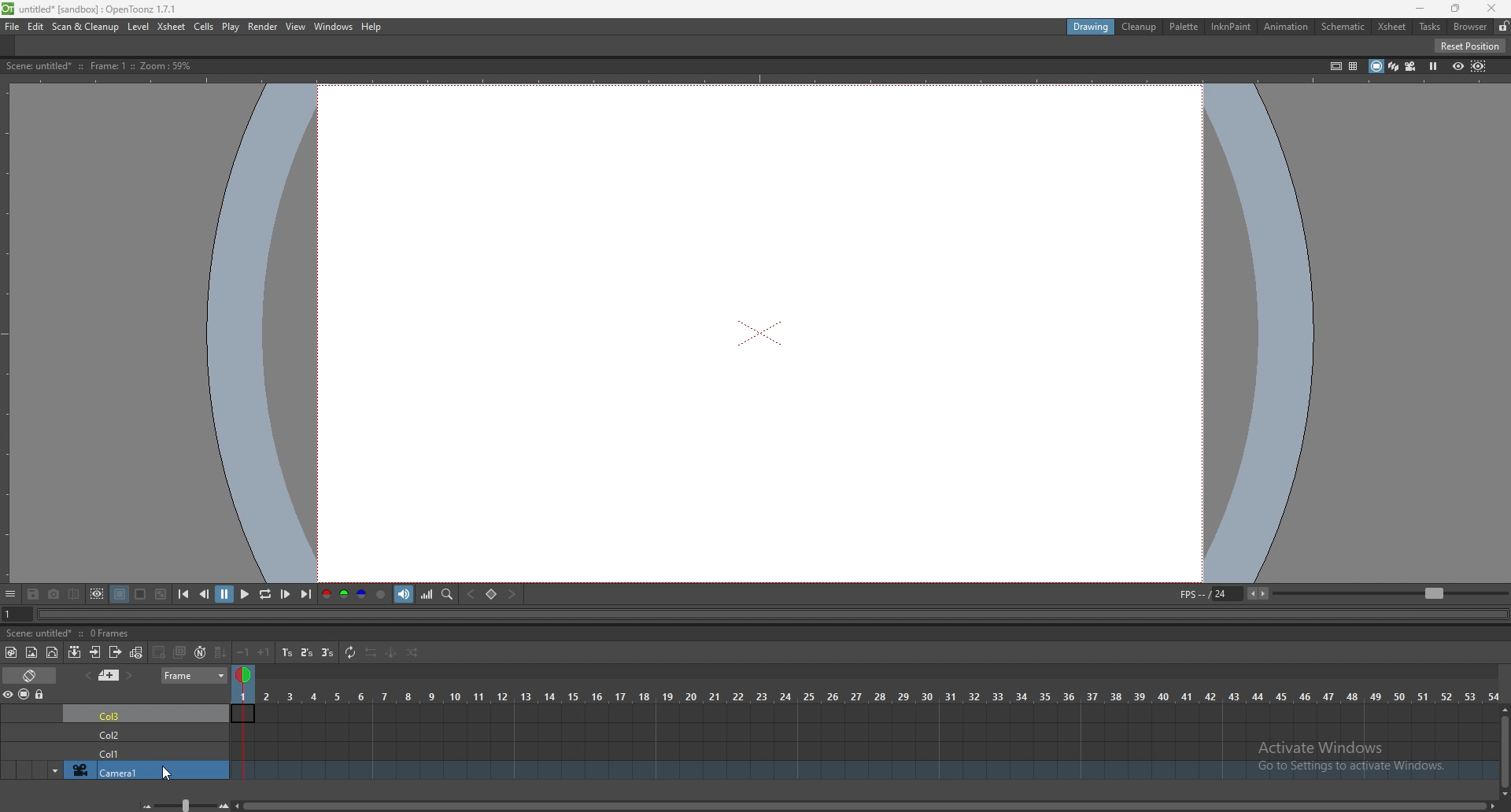  What do you see at coordinates (1092, 28) in the screenshot?
I see `drawing` at bounding box center [1092, 28].